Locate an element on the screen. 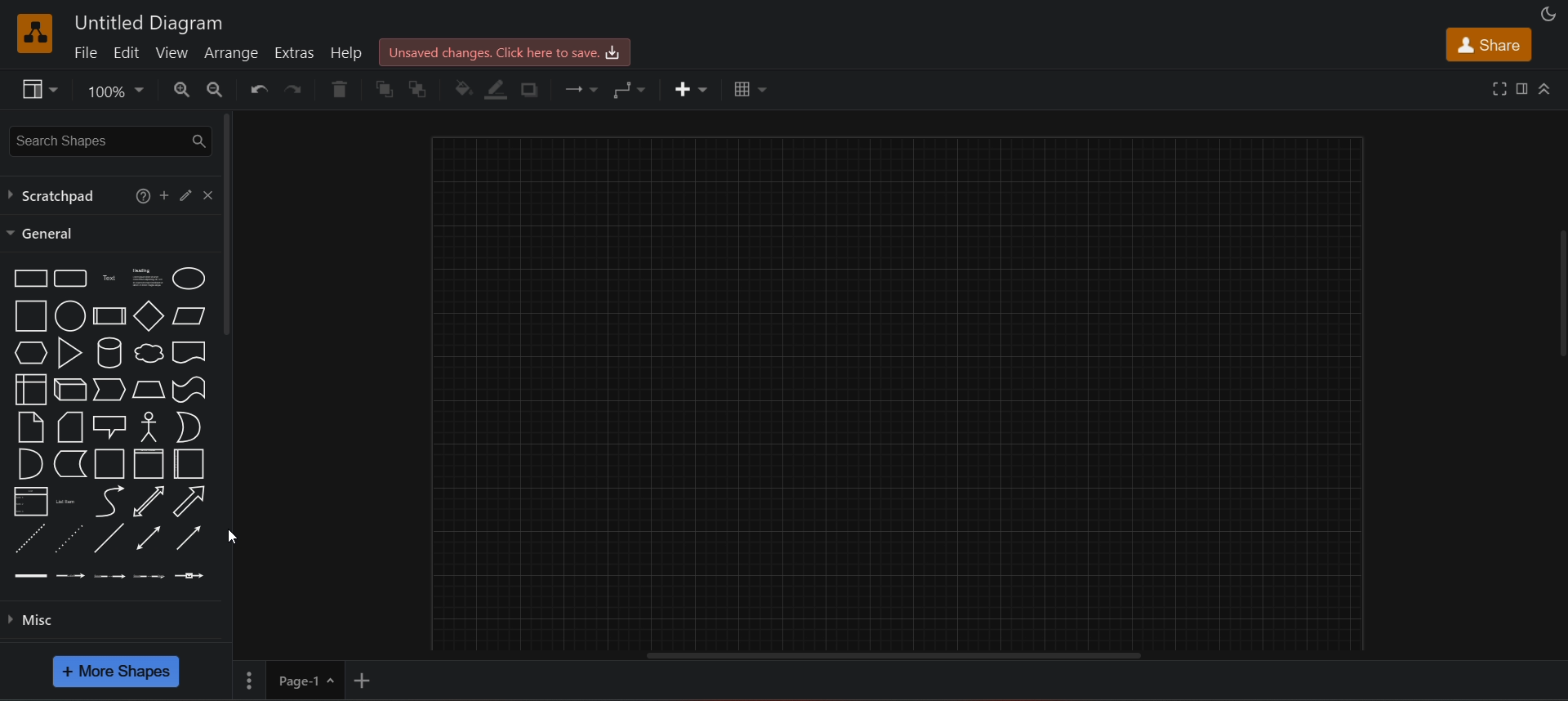 The height and width of the screenshot is (701, 1568). bidirectional connector is located at coordinates (150, 538).